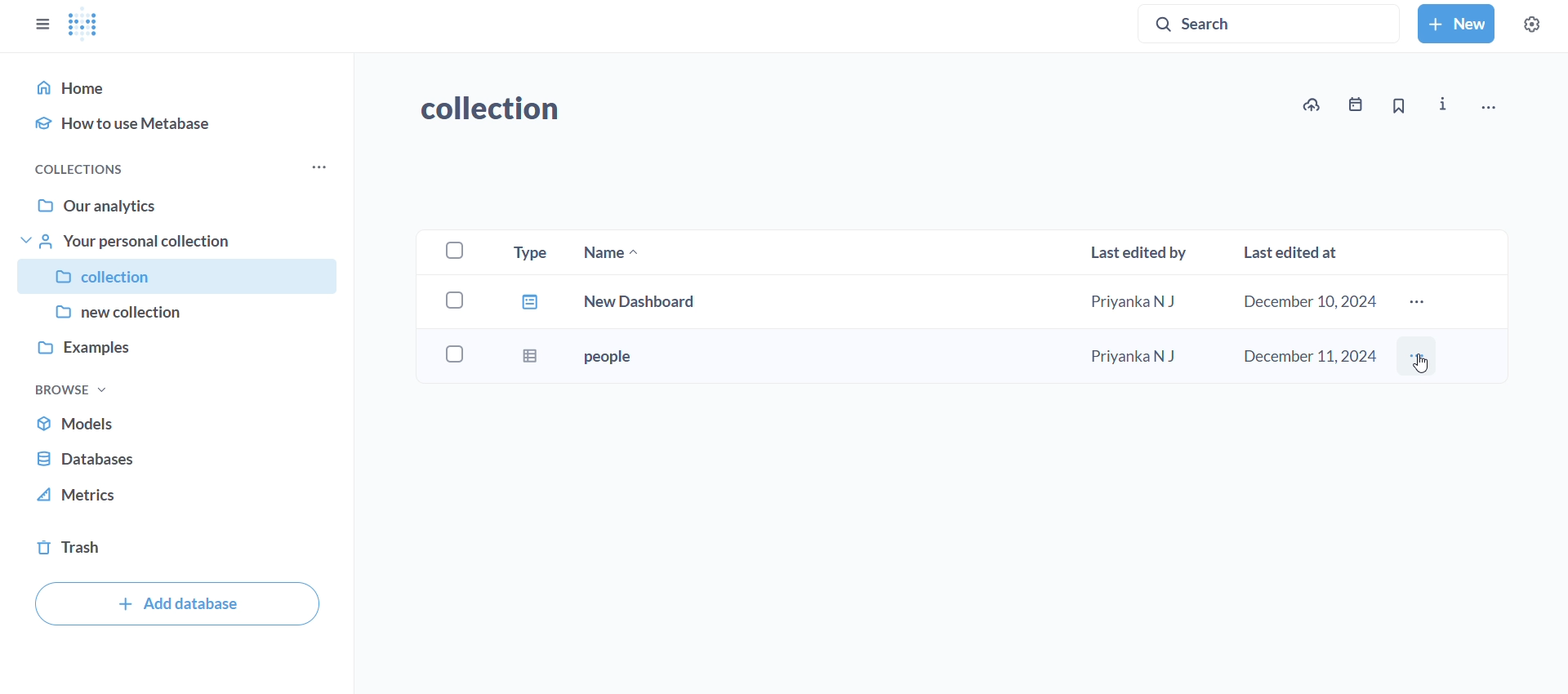 The height and width of the screenshot is (694, 1568). Describe the element at coordinates (315, 170) in the screenshot. I see `more` at that location.